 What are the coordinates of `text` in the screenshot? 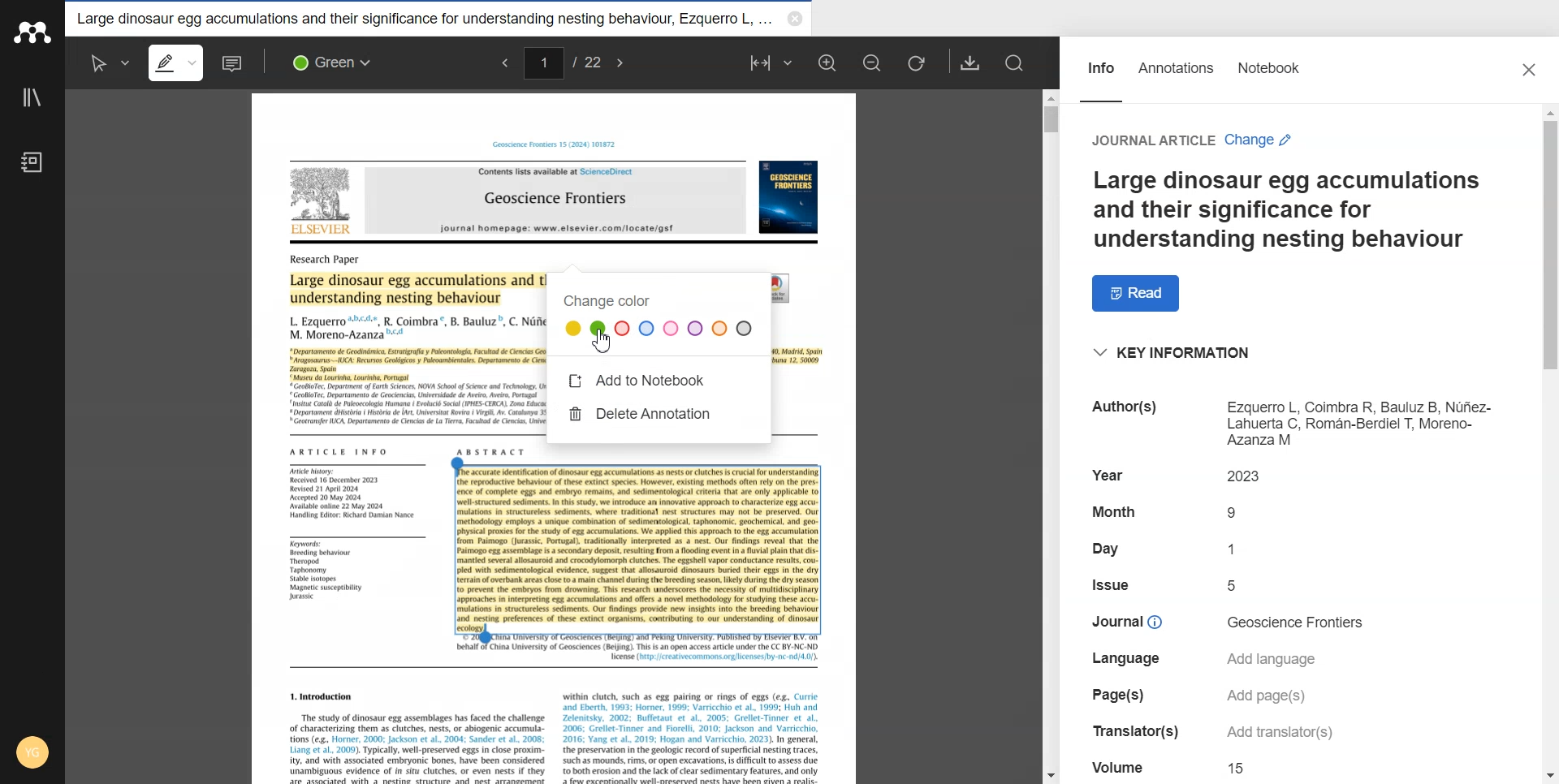 It's located at (339, 450).